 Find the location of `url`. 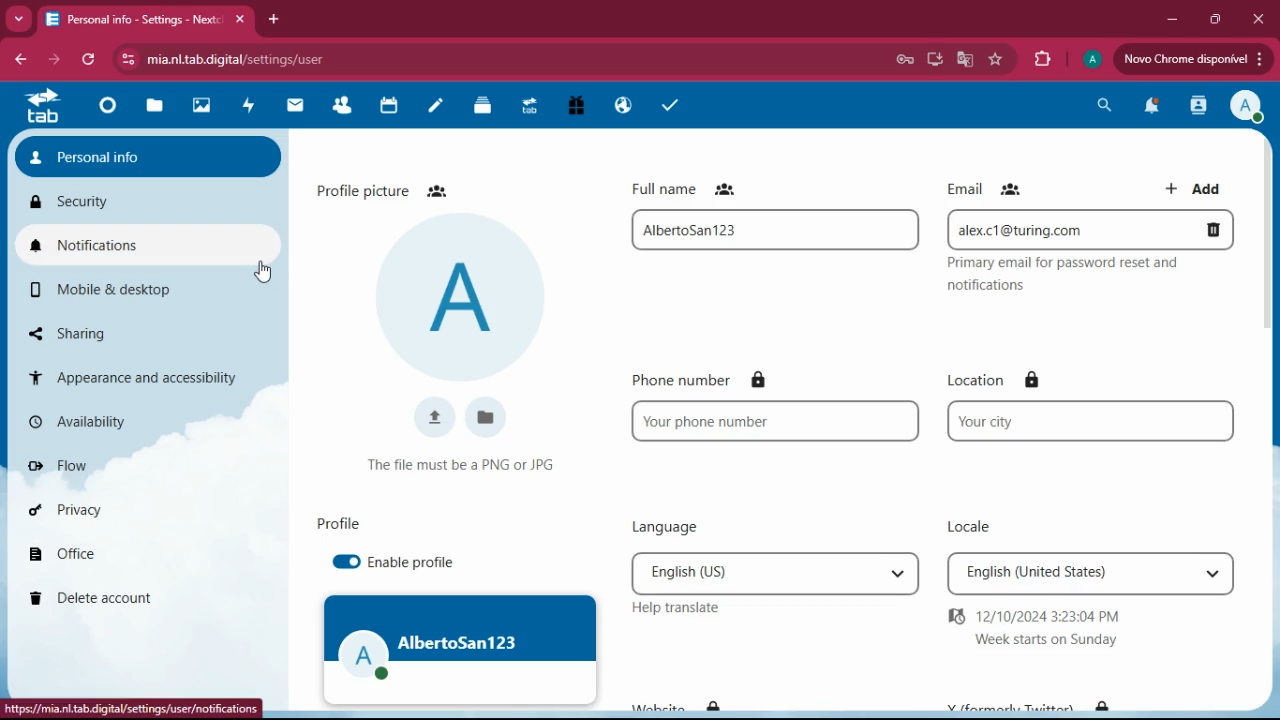

url is located at coordinates (264, 57).